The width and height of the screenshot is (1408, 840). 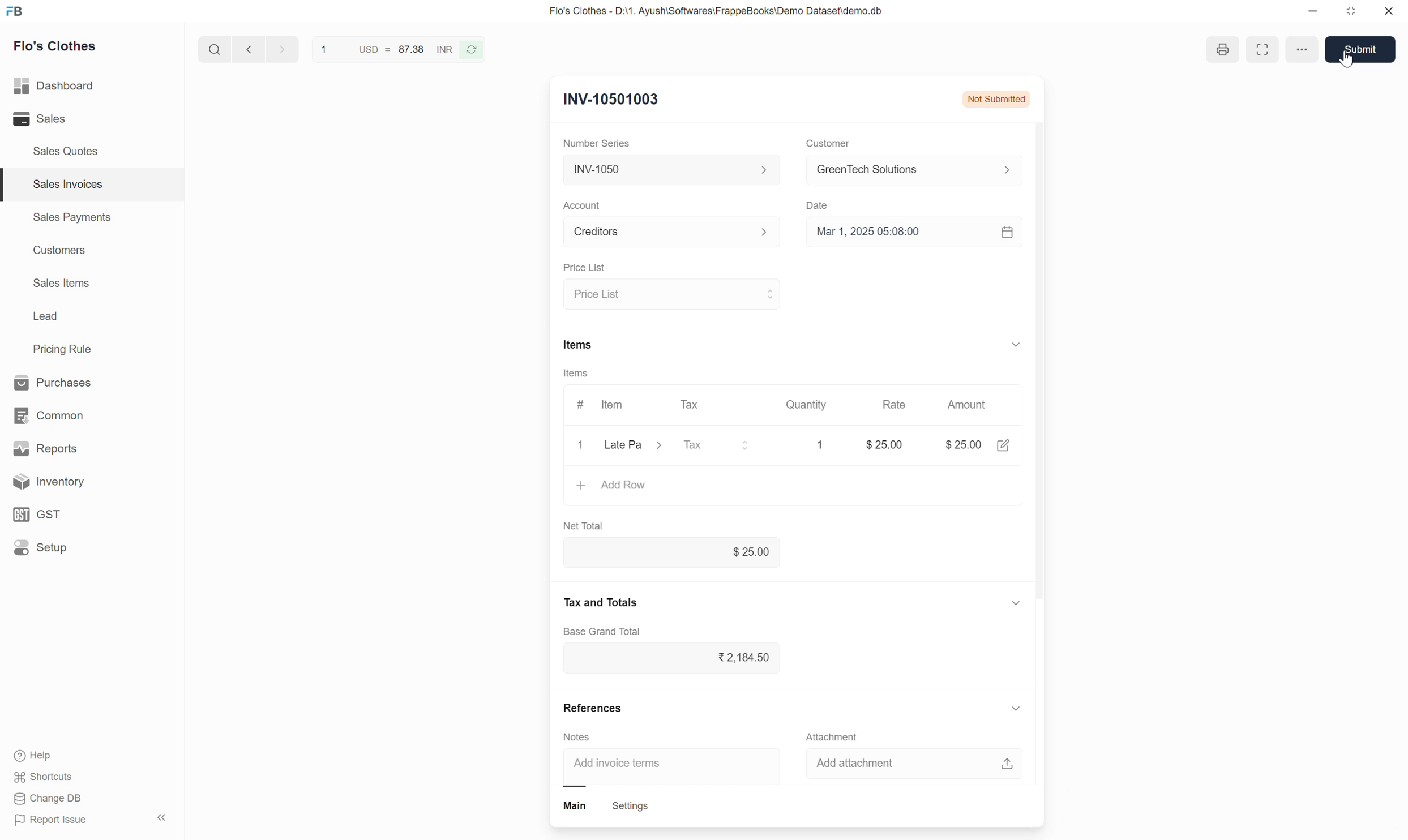 I want to click on net total input box, so click(x=781, y=551).